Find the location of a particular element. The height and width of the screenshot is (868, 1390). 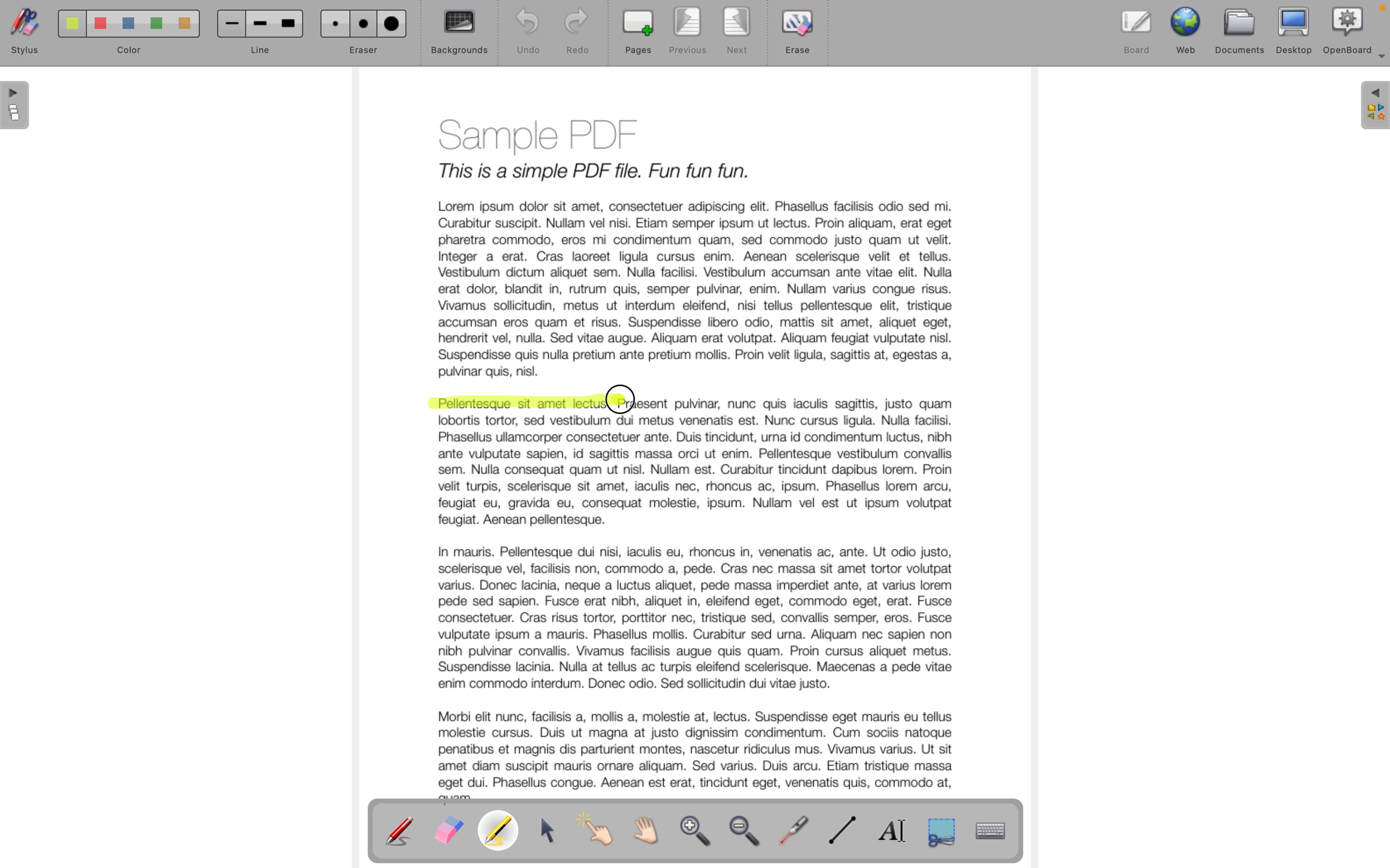

display virtual keyboard is located at coordinates (1001, 831).